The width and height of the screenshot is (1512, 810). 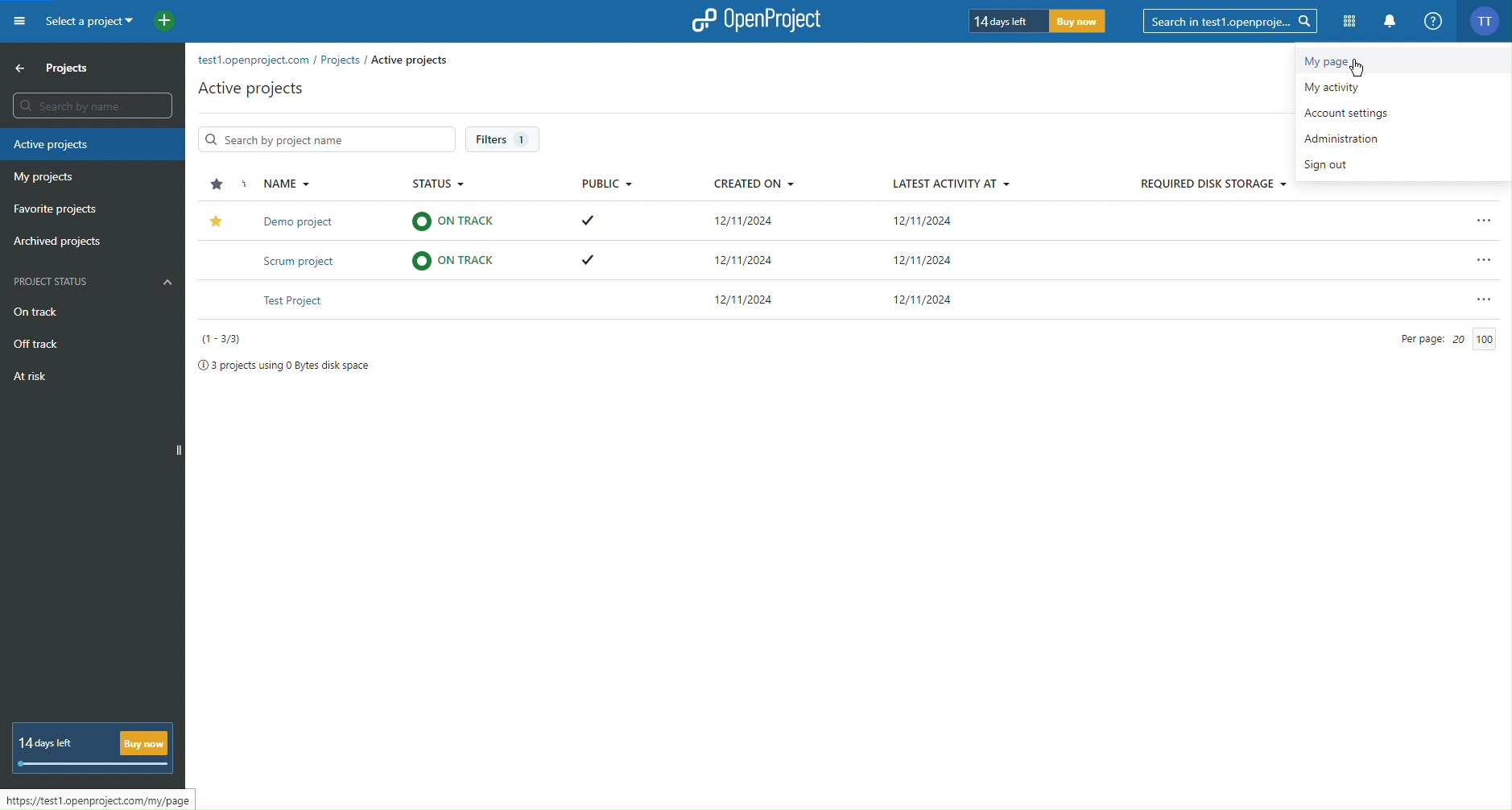 What do you see at coordinates (455, 222) in the screenshot?
I see `ON TRACK` at bounding box center [455, 222].